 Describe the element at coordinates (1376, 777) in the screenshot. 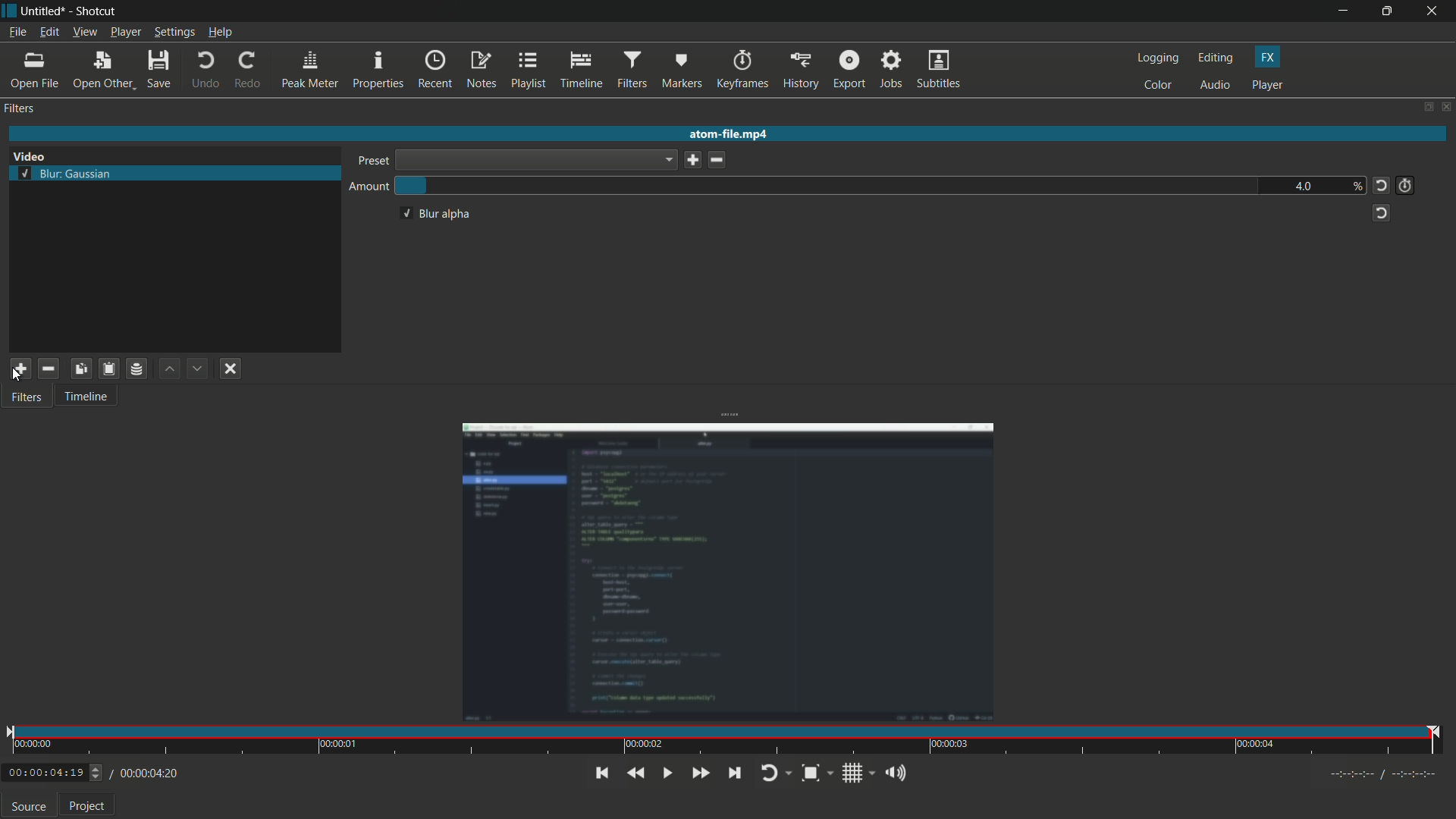

I see `Timecodes` at that location.